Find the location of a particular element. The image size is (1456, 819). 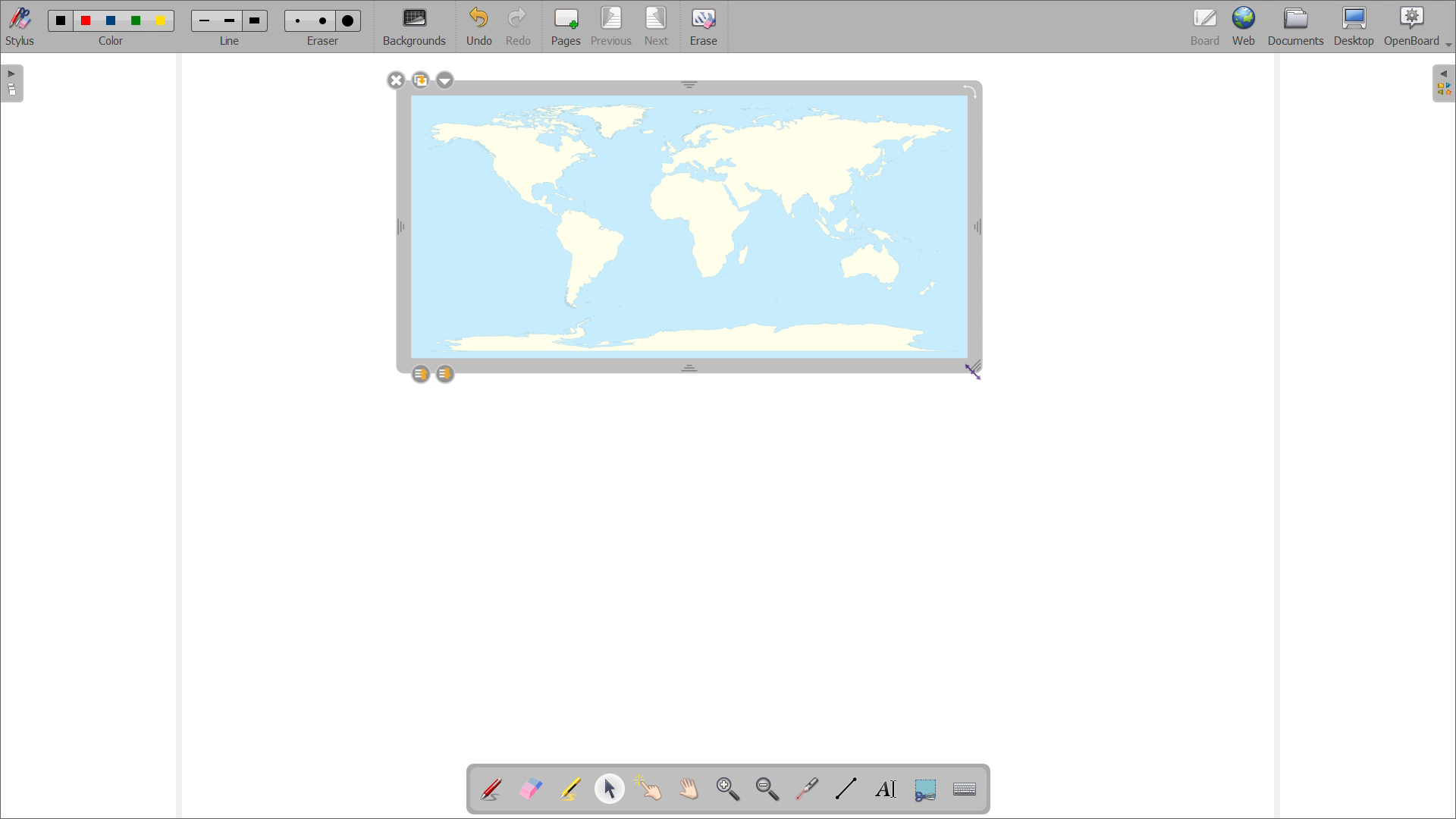

virtual laser pointer is located at coordinates (808, 789).